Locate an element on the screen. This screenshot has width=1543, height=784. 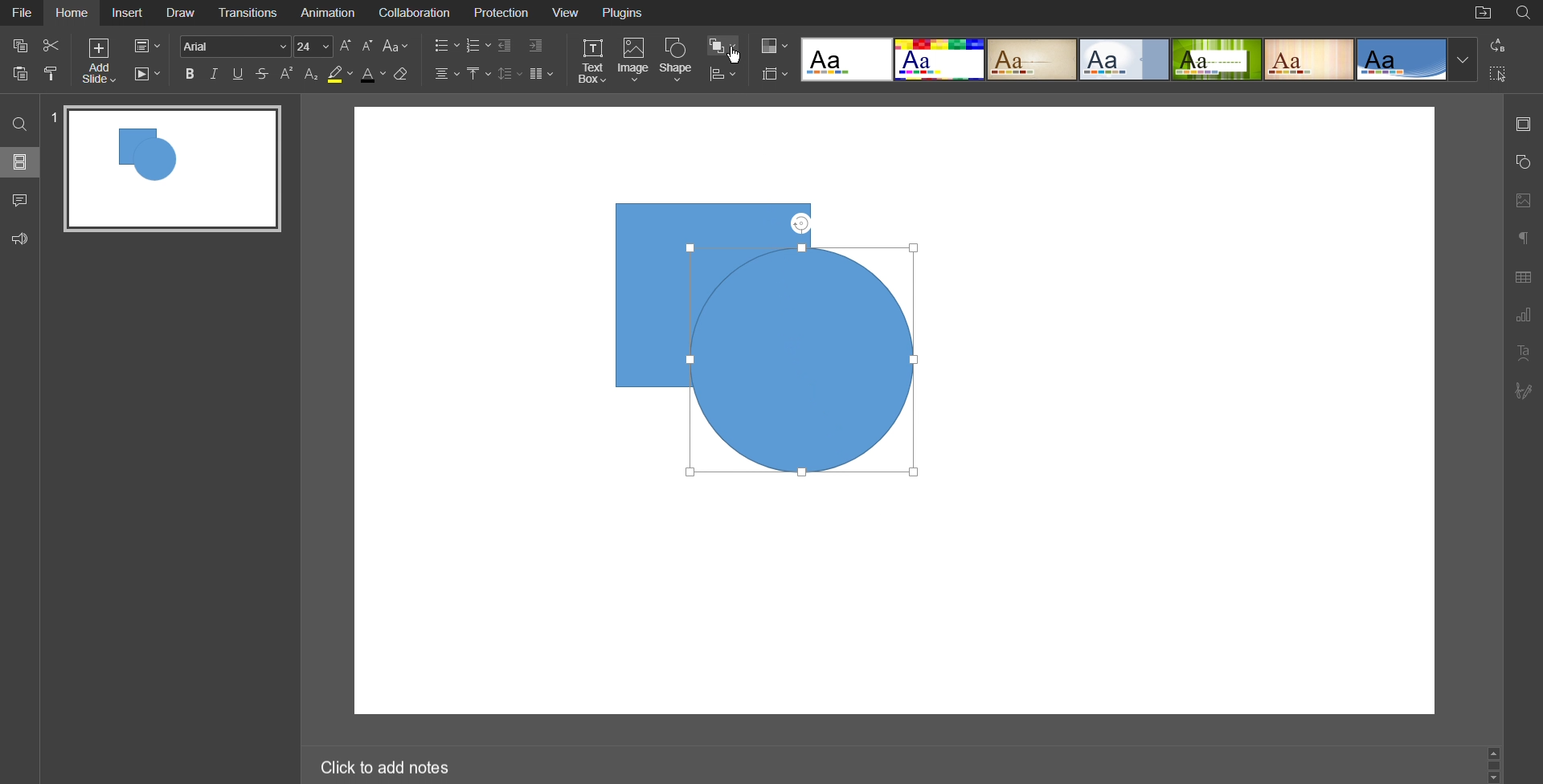
Slides Settings is located at coordinates (1525, 125).